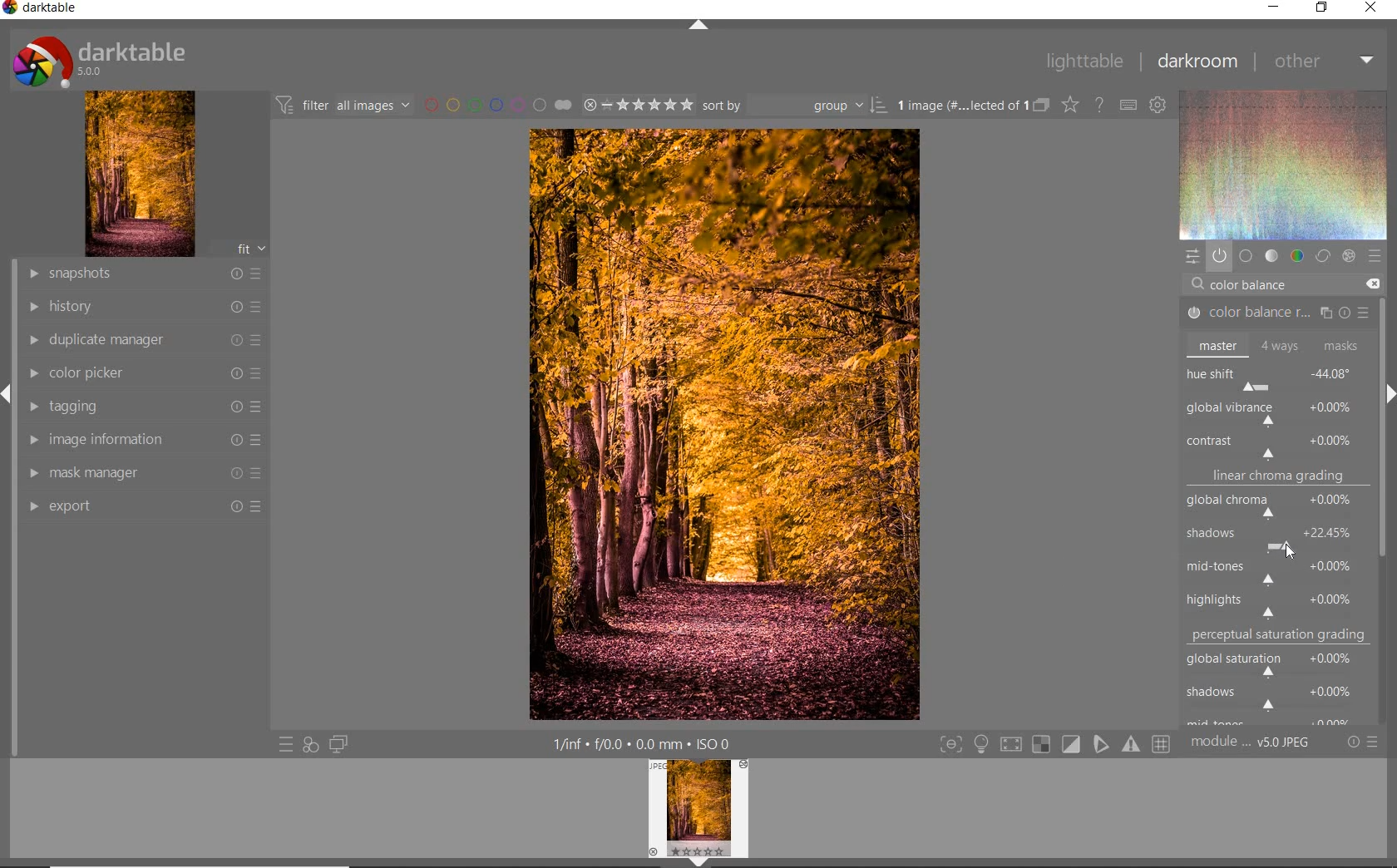 This screenshot has height=868, width=1397. I want to click on ROTATE ALL HUES BY AN ANGLE AT THE SAME LUMINANCE, so click(1252, 411).